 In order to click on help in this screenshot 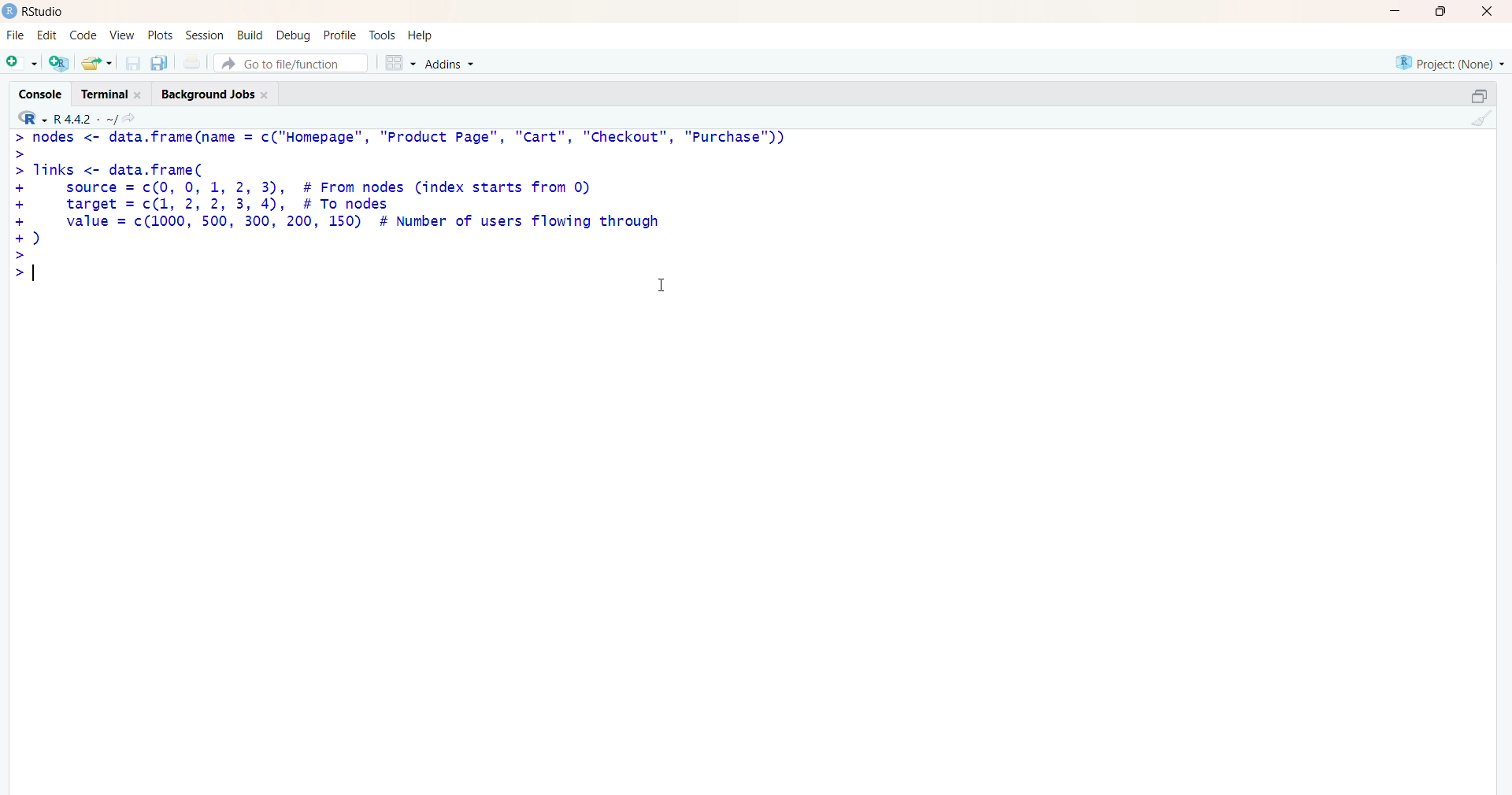, I will do `click(429, 35)`.